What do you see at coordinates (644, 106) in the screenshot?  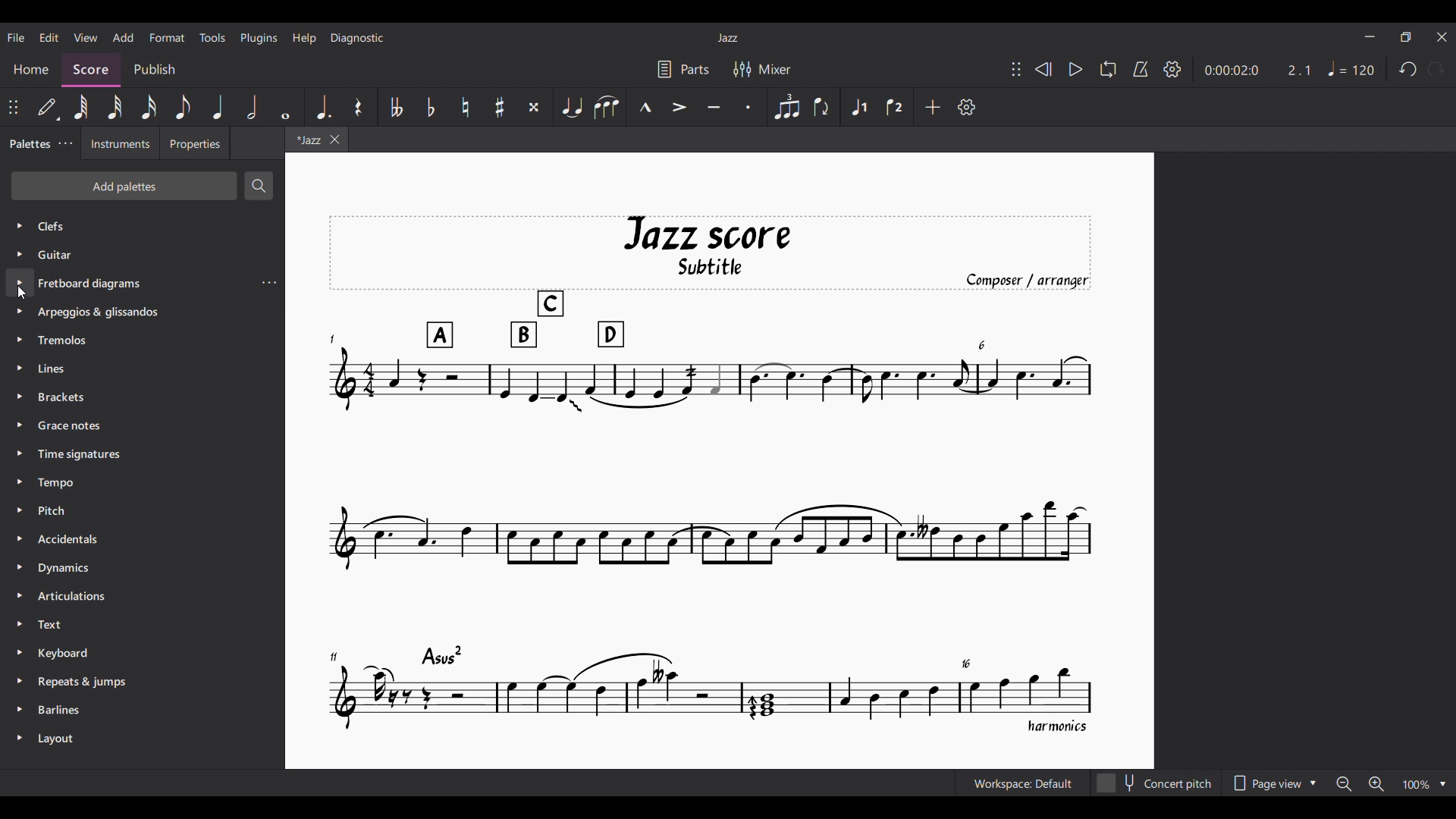 I see `Marcato` at bounding box center [644, 106].